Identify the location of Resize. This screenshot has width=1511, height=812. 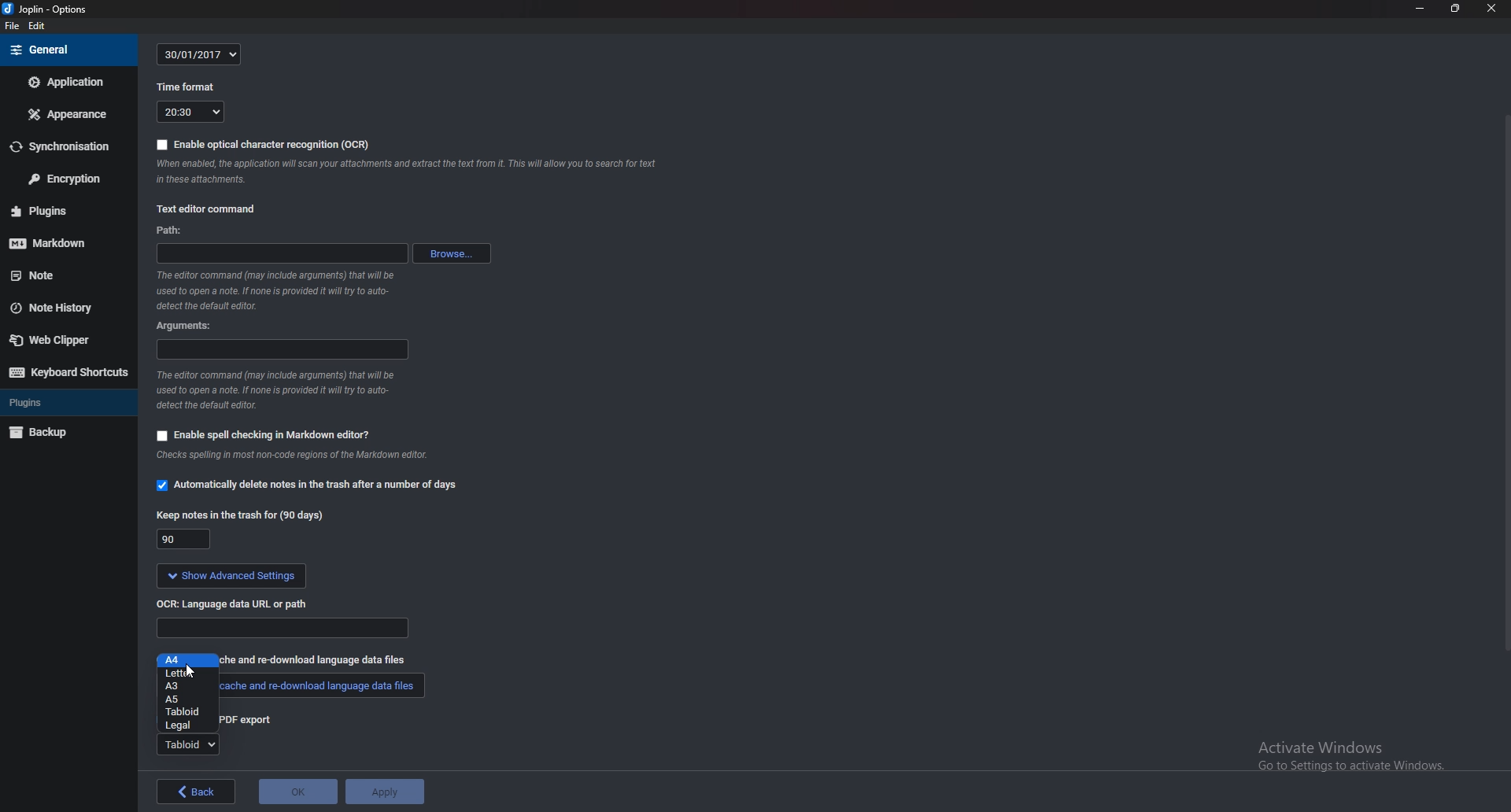
(1453, 9).